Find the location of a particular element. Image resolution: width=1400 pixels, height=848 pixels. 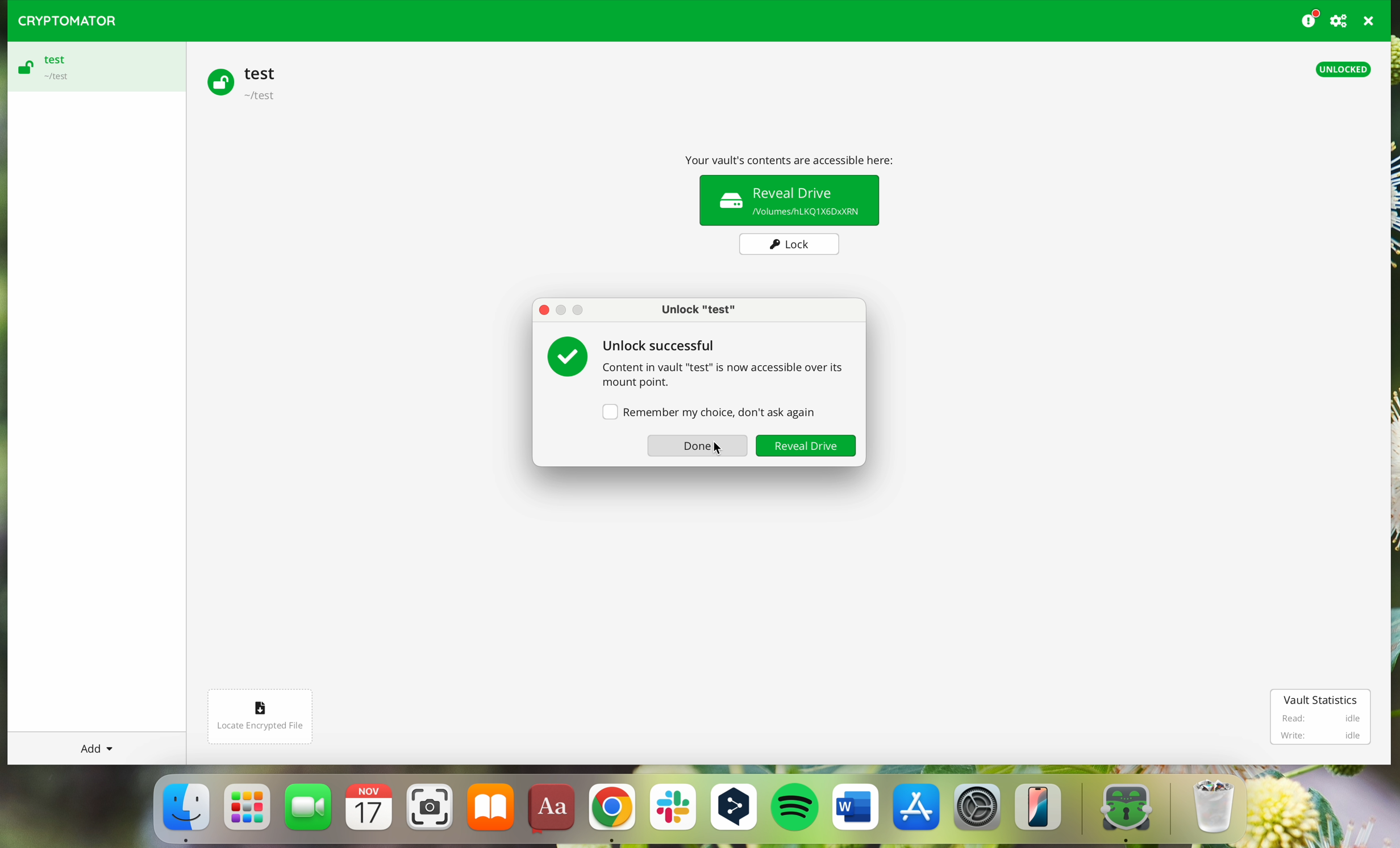

trash is located at coordinates (1211, 811).